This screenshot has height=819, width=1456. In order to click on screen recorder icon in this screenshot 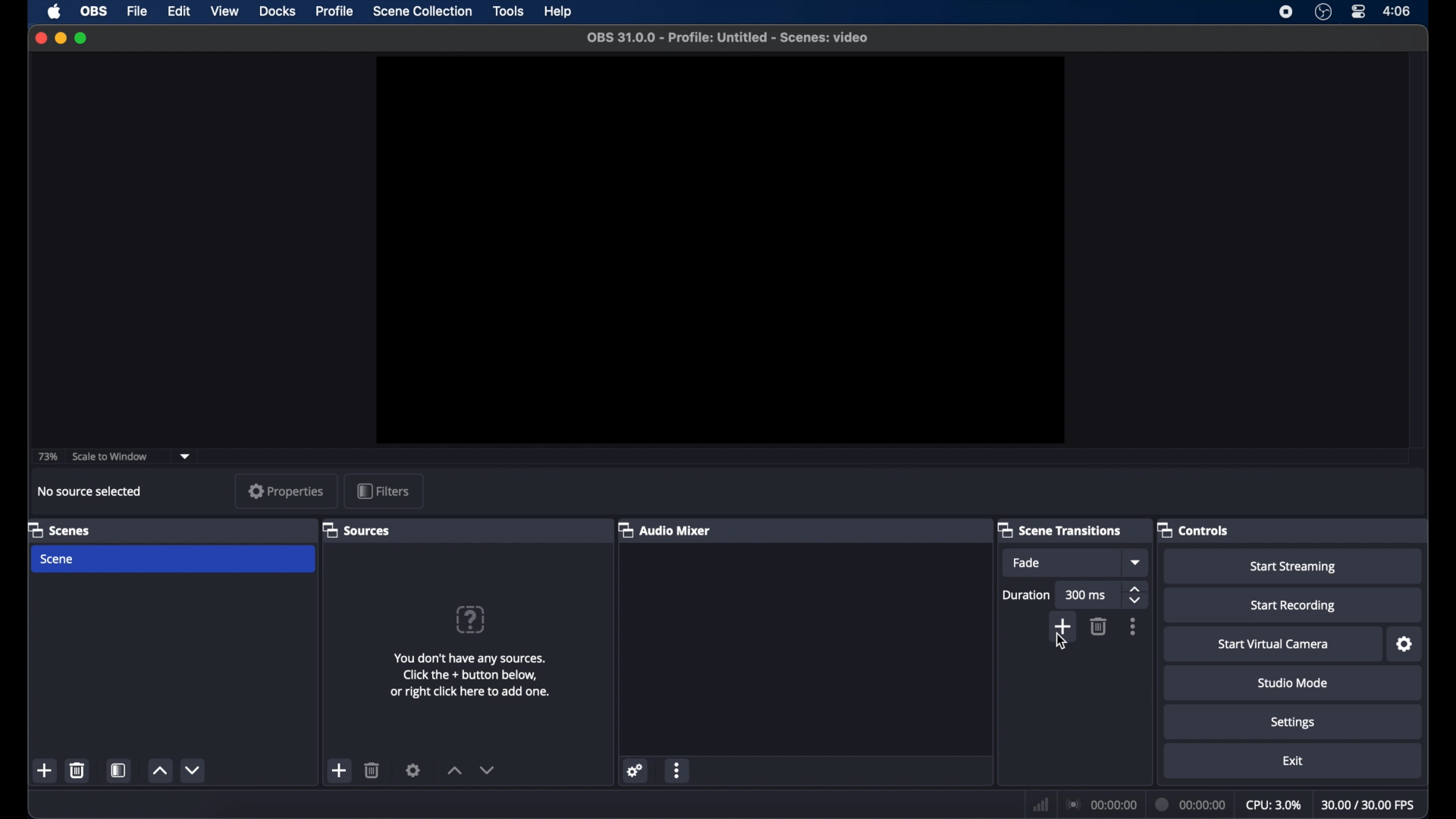, I will do `click(1285, 11)`.